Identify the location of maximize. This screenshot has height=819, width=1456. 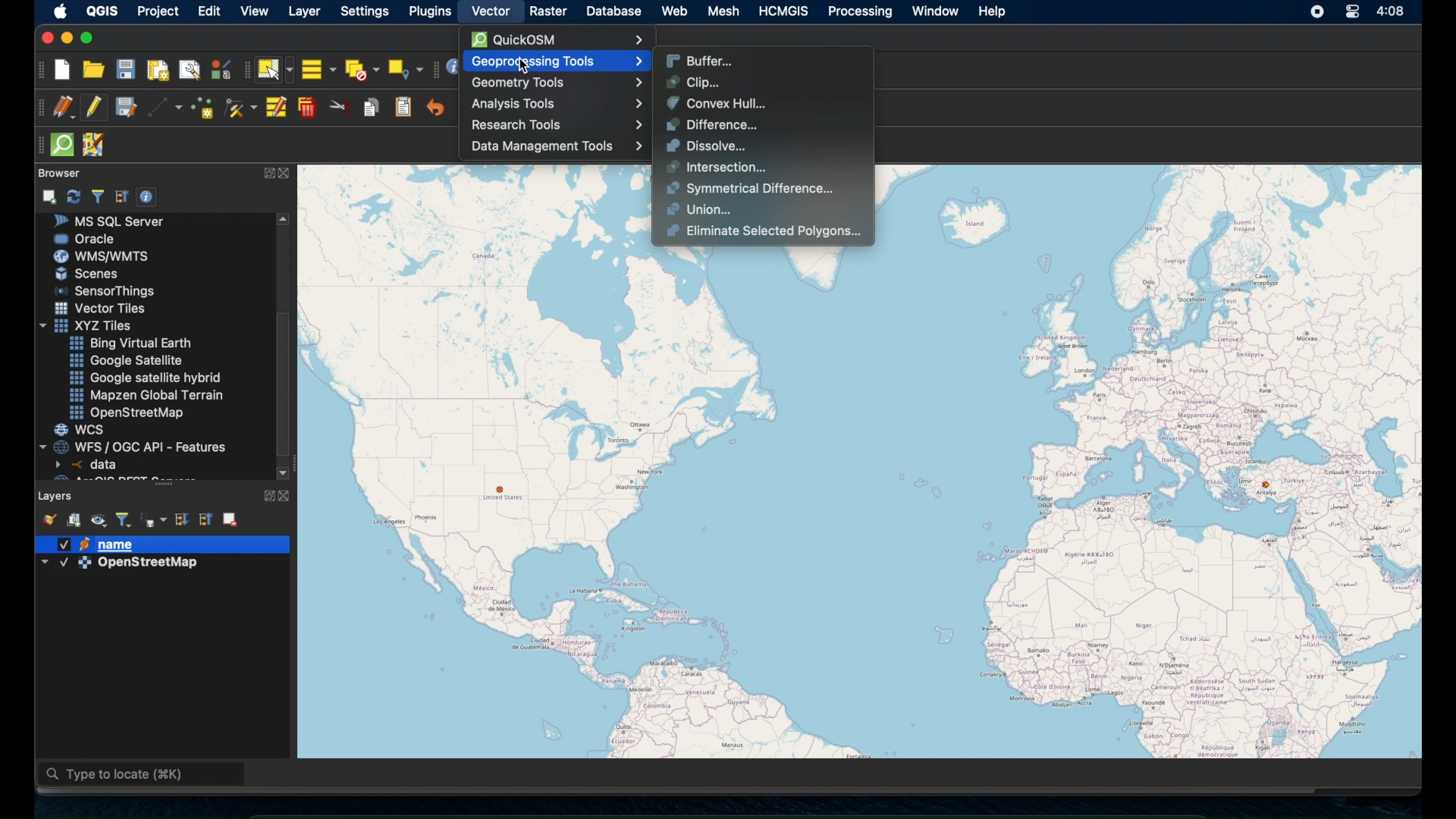
(90, 38).